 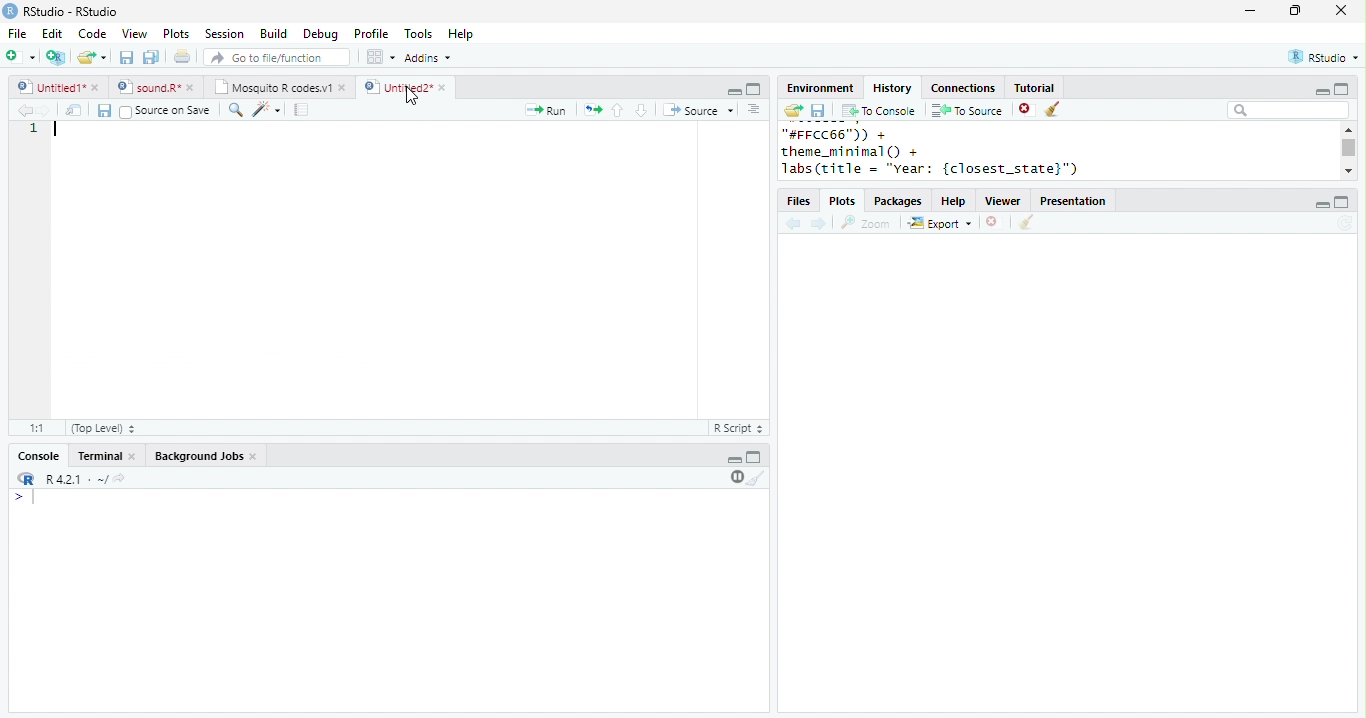 I want to click on save, so click(x=104, y=111).